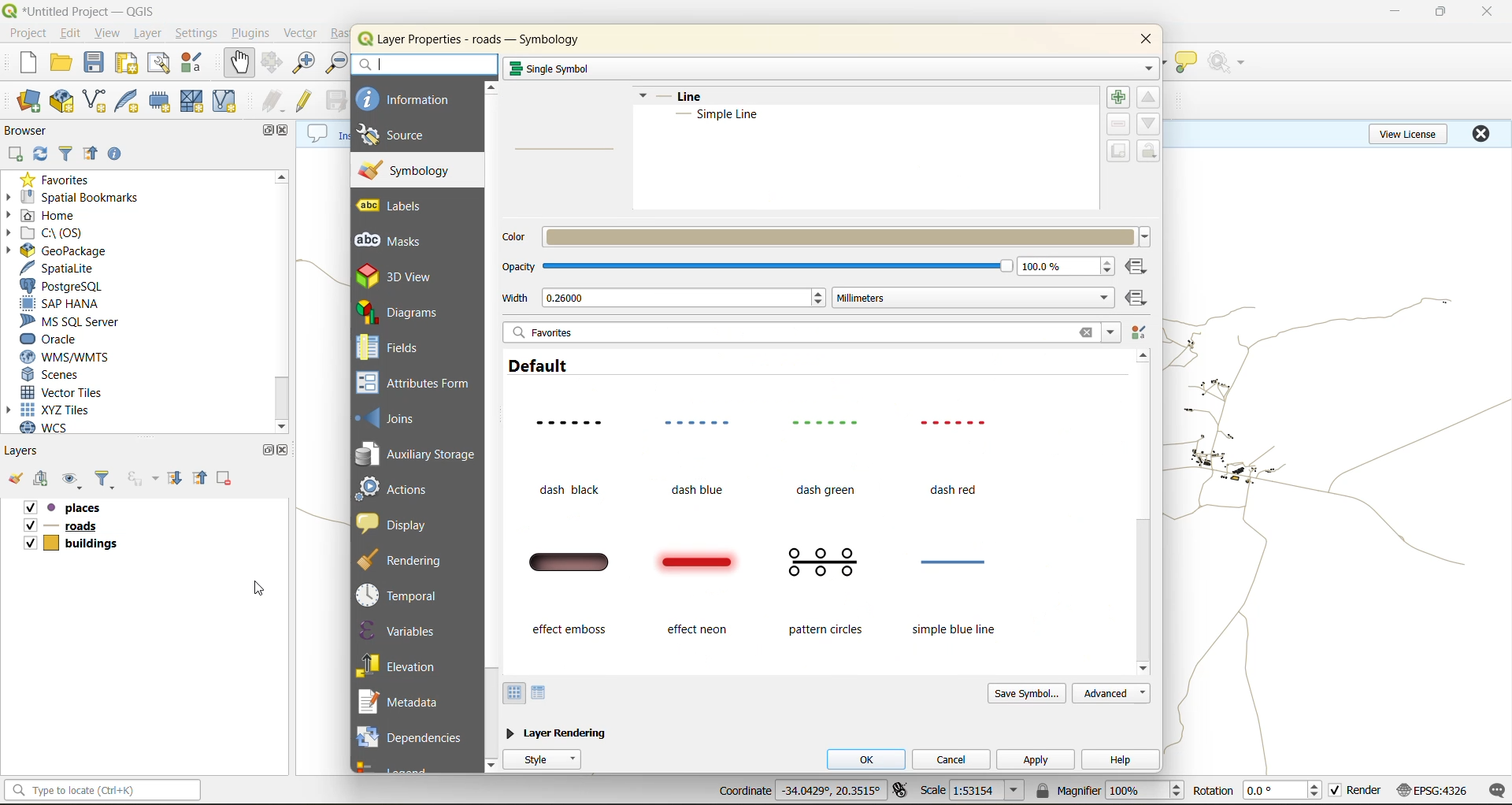 The image size is (1512, 805). I want to click on variables, so click(398, 631).